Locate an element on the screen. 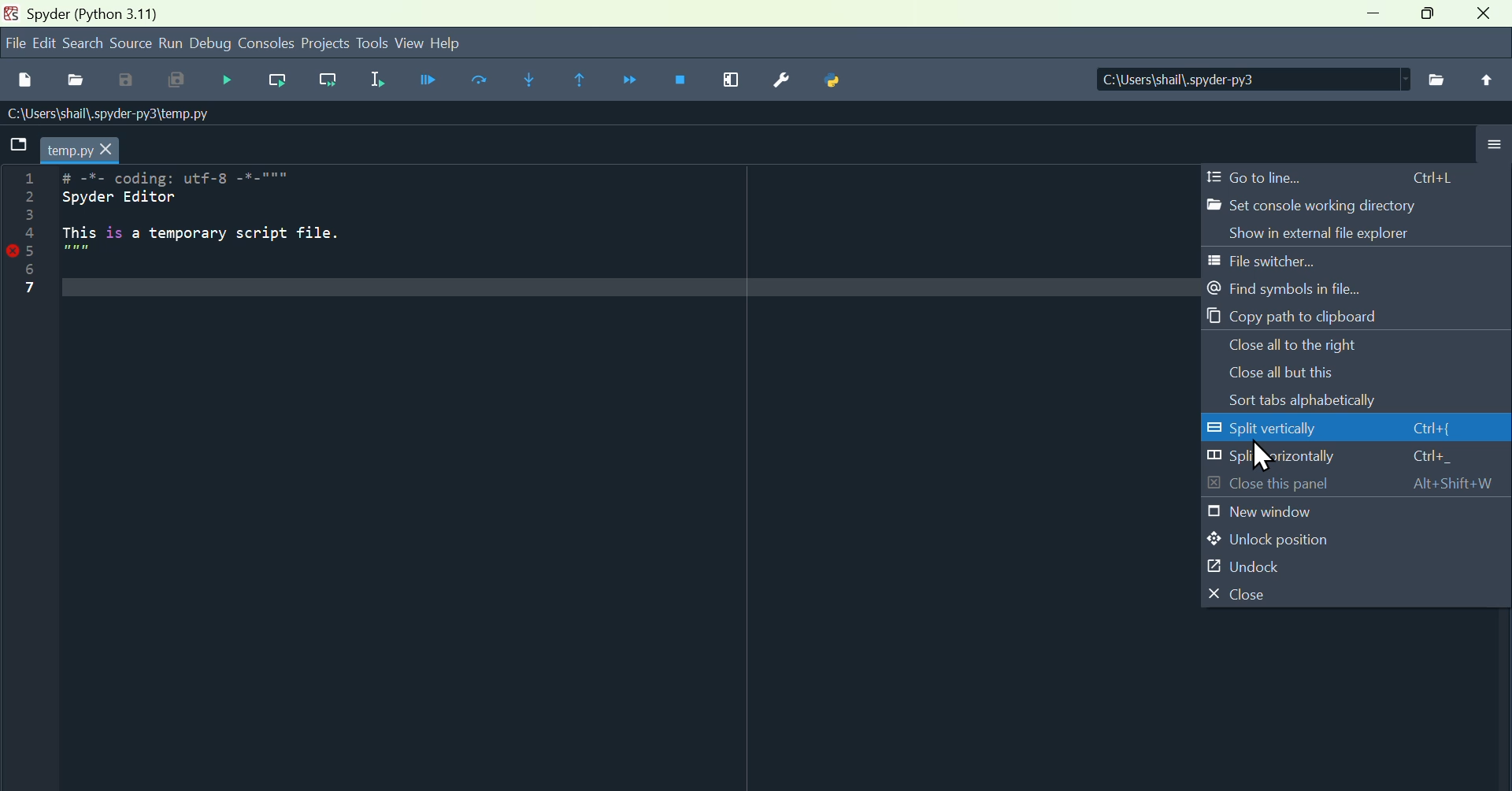  Python bath manager is located at coordinates (836, 84).